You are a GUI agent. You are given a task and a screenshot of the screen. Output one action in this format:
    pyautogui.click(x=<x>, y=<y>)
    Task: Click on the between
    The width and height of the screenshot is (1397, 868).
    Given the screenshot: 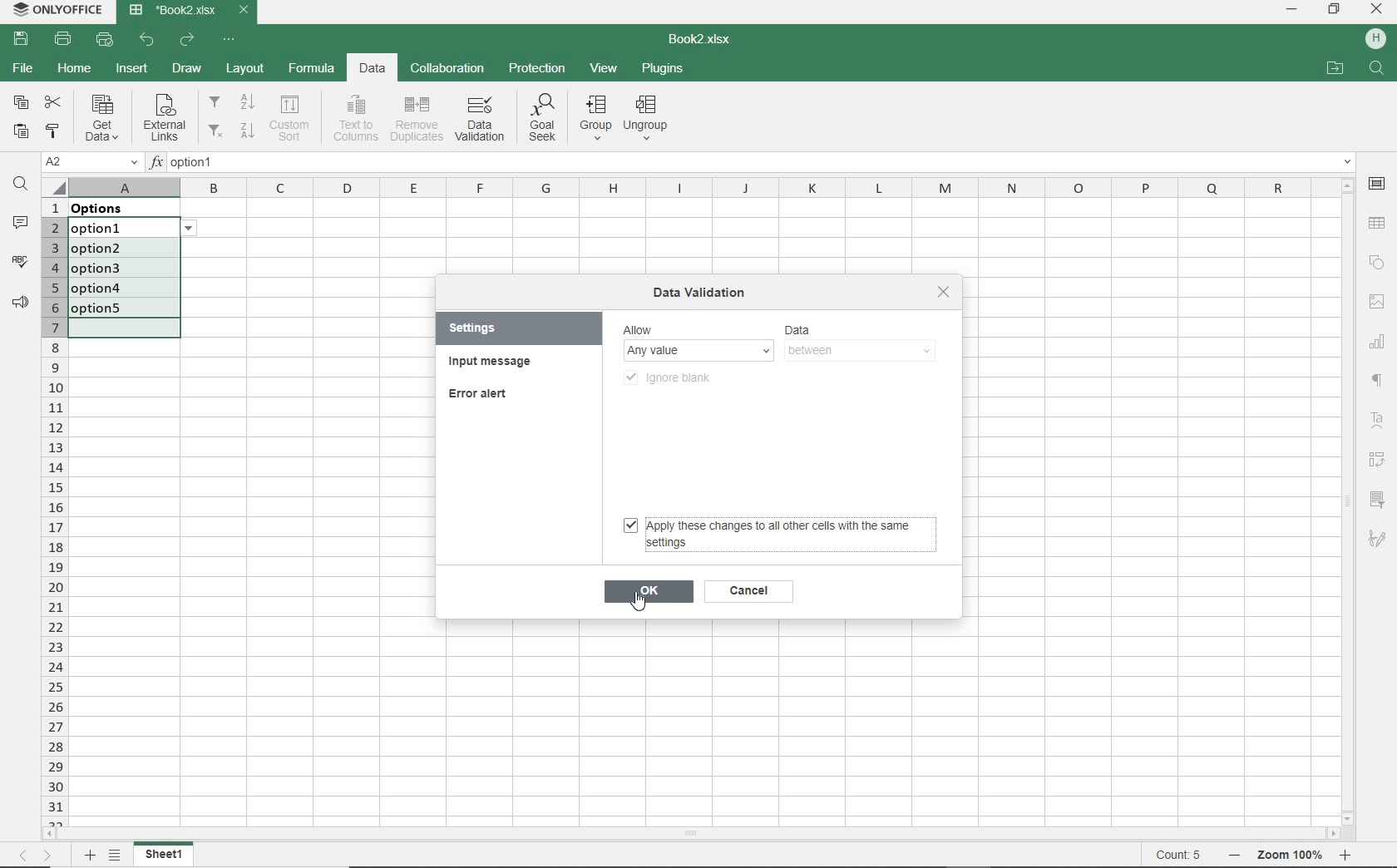 What is the action you would take?
    pyautogui.click(x=857, y=351)
    